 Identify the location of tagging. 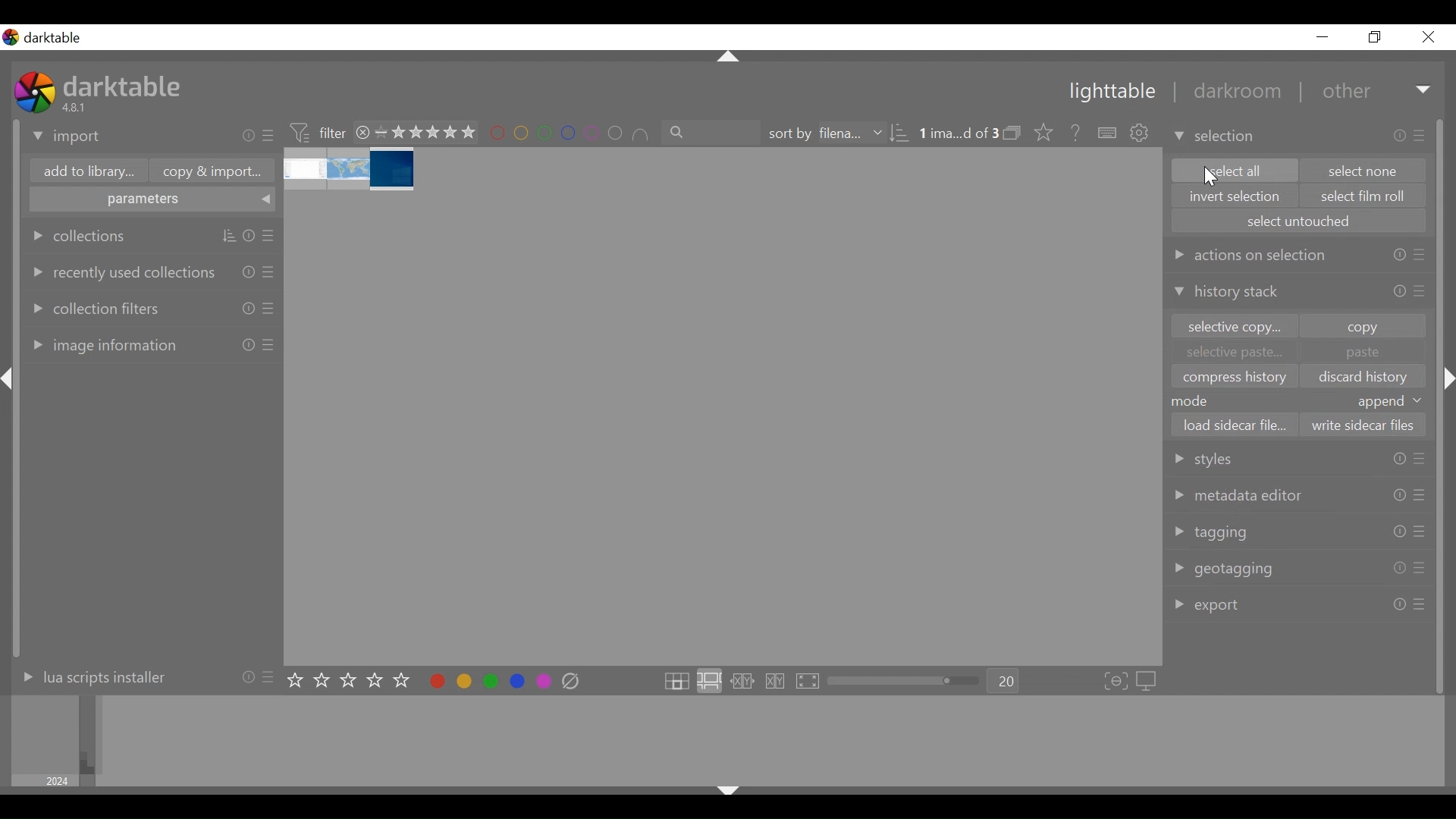
(1211, 532).